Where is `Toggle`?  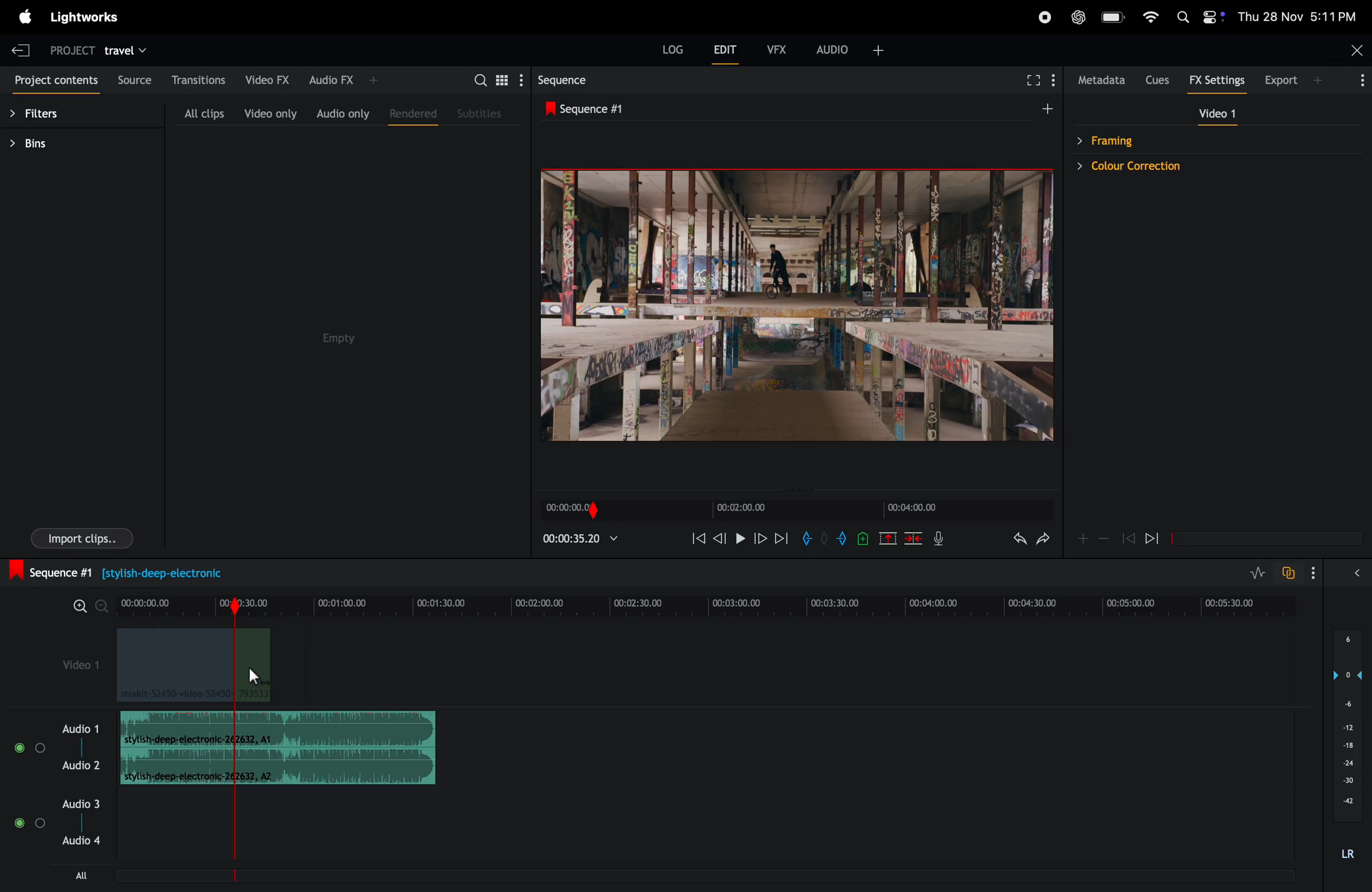 Toggle is located at coordinates (42, 747).